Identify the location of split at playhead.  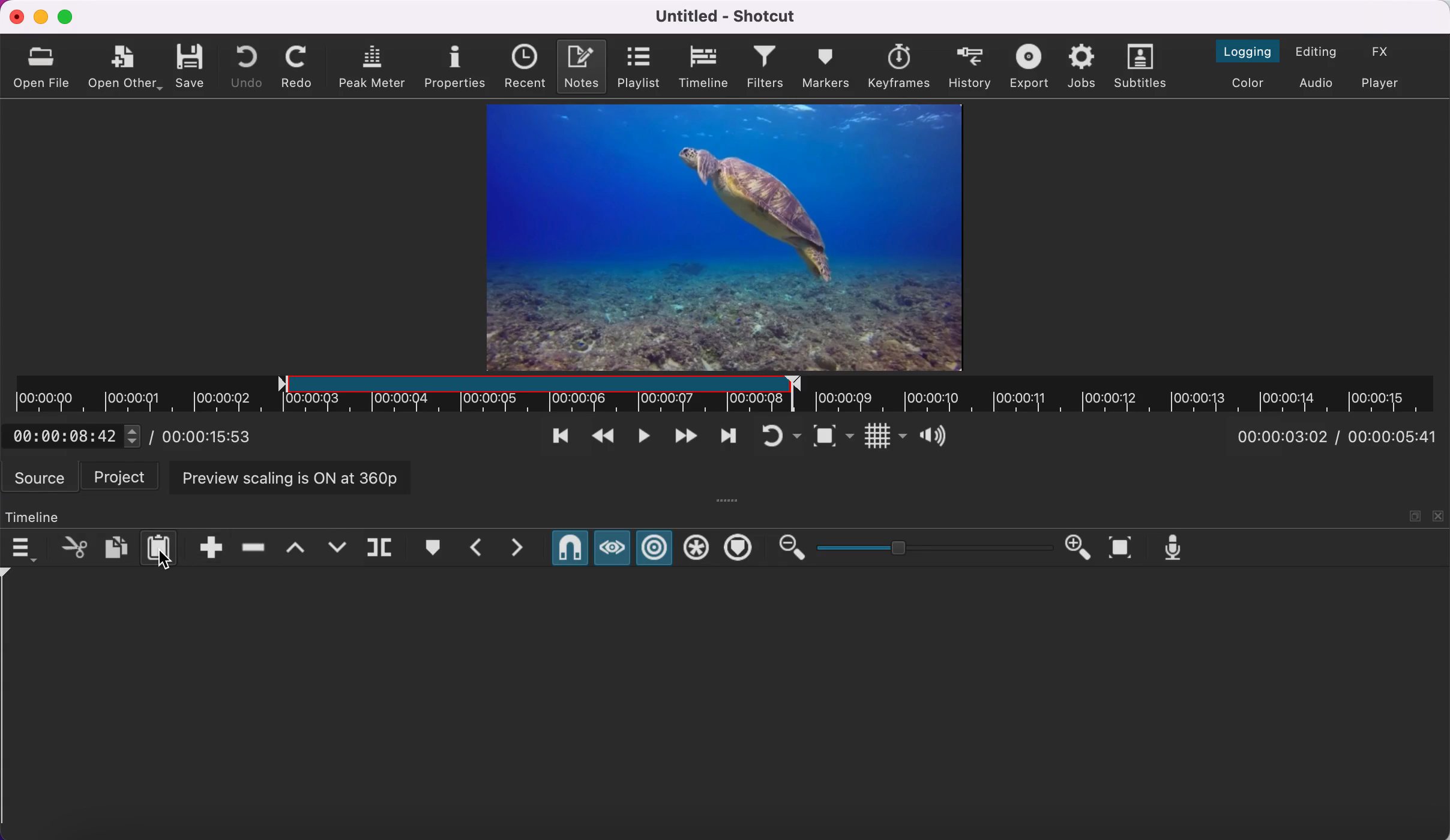
(380, 547).